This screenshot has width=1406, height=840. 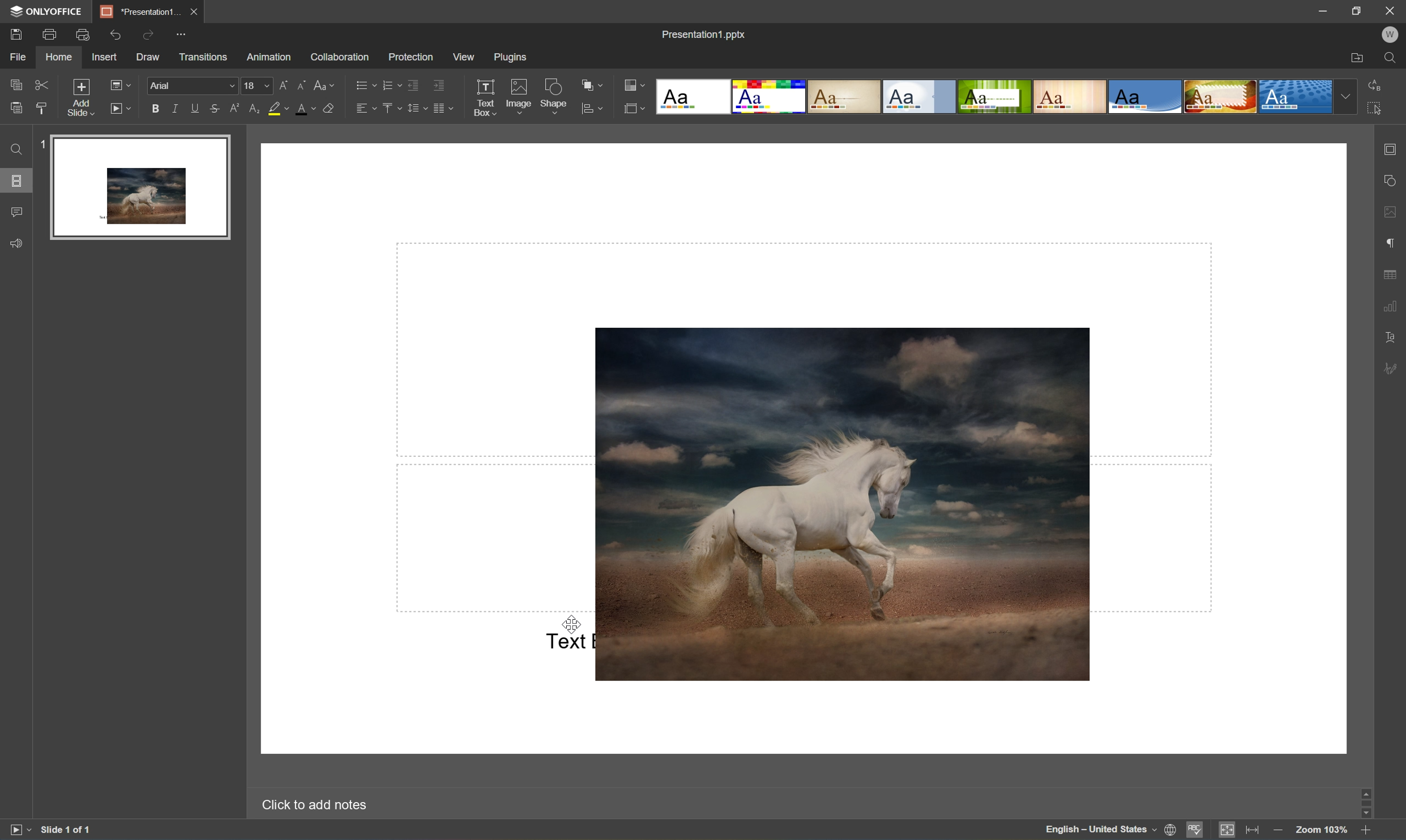 What do you see at coordinates (591, 84) in the screenshot?
I see `Arrange shapes` at bounding box center [591, 84].